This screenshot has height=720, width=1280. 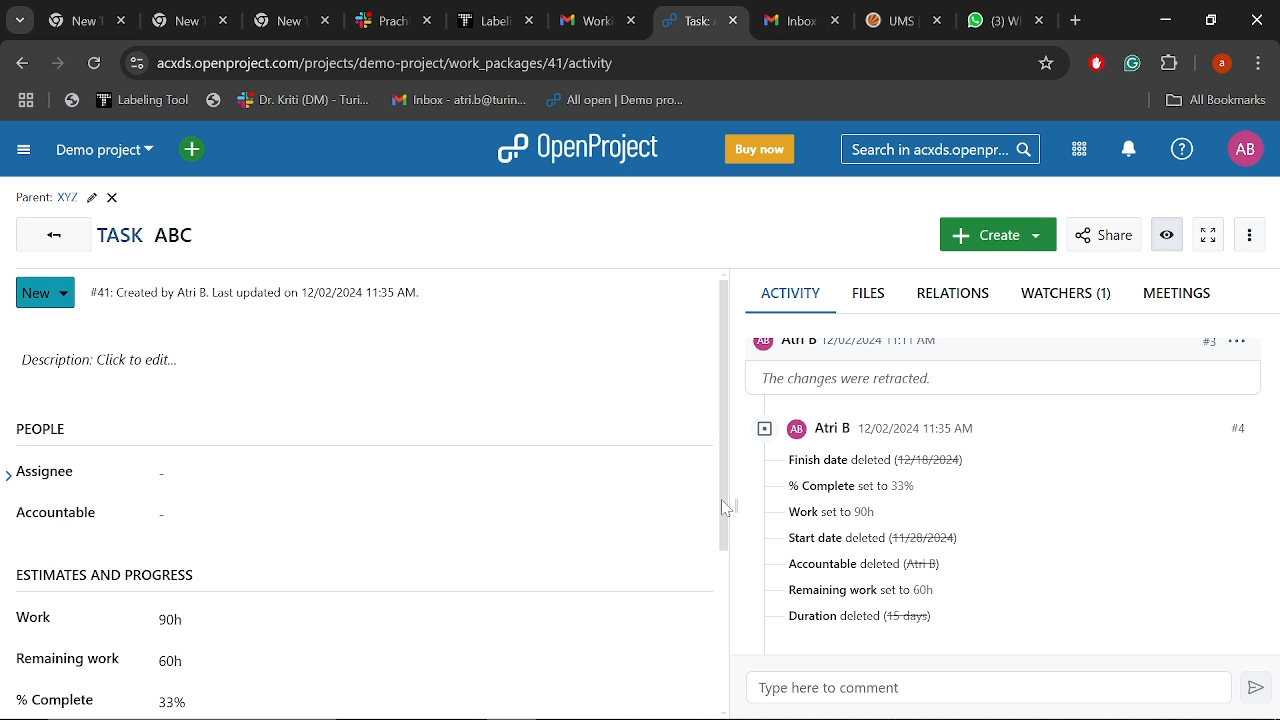 What do you see at coordinates (1077, 23) in the screenshot?
I see `Add new tab` at bounding box center [1077, 23].